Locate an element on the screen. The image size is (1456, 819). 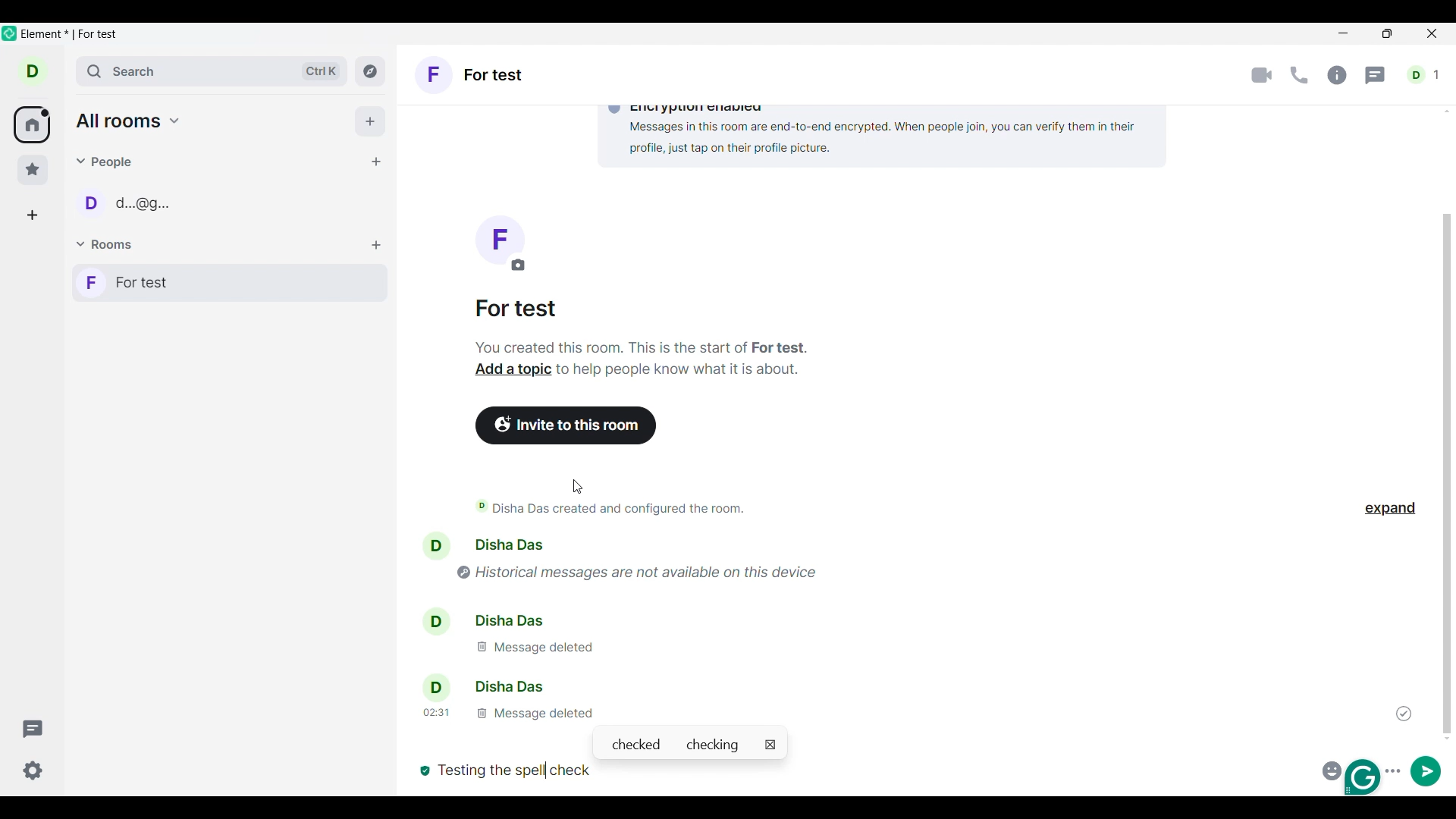
Click to expand is located at coordinates (1390, 509).